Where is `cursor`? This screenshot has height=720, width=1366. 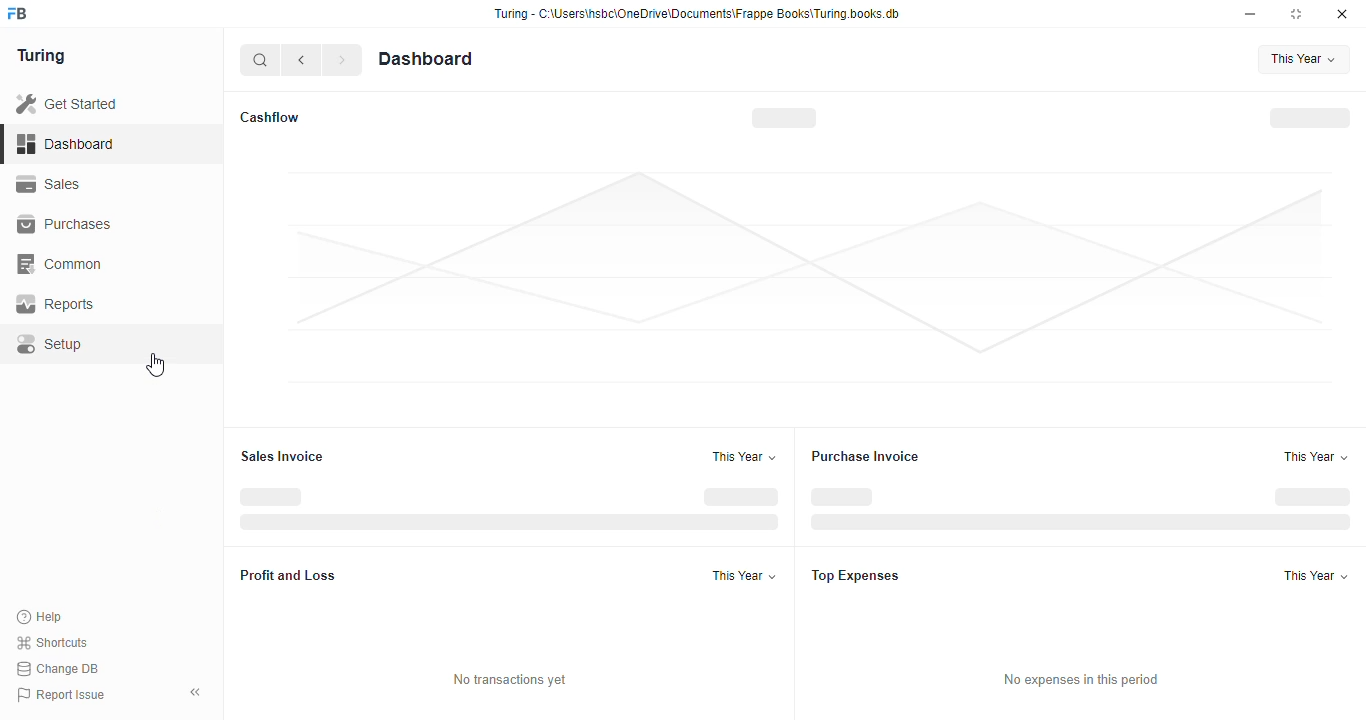
cursor is located at coordinates (156, 365).